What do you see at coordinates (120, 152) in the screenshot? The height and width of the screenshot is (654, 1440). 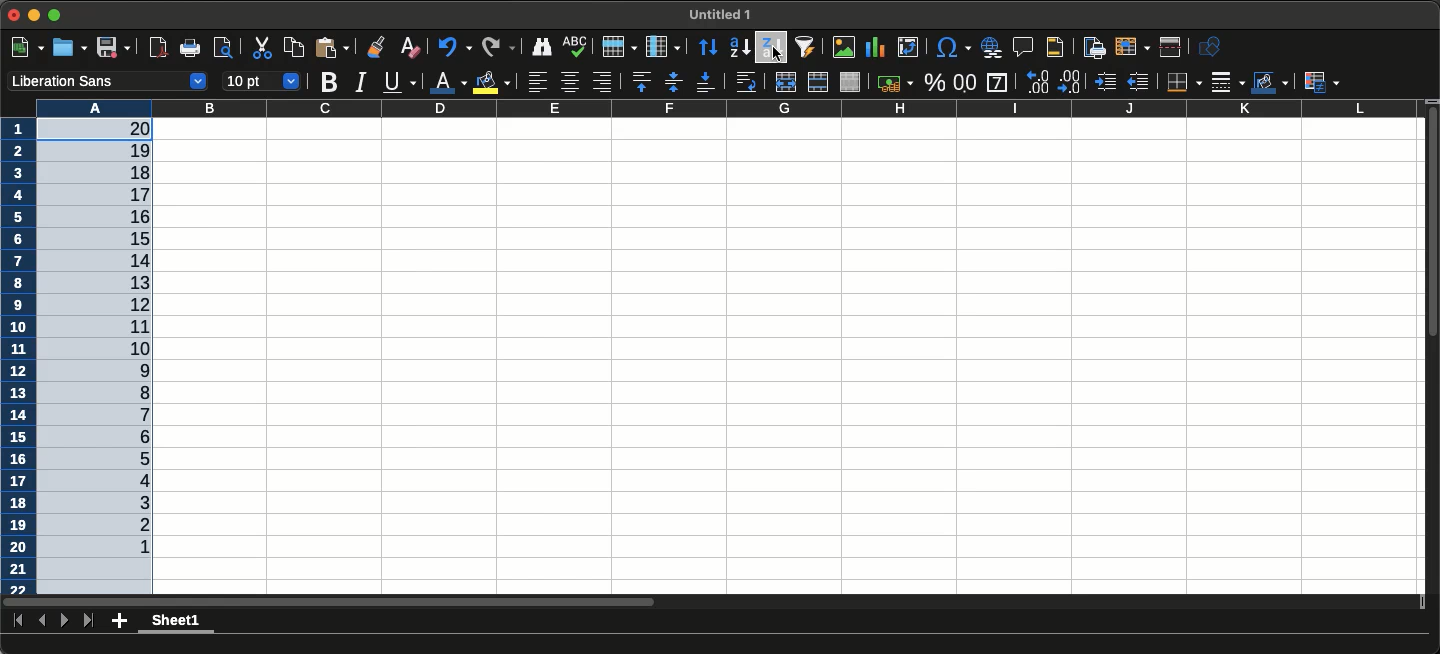 I see `2` at bounding box center [120, 152].